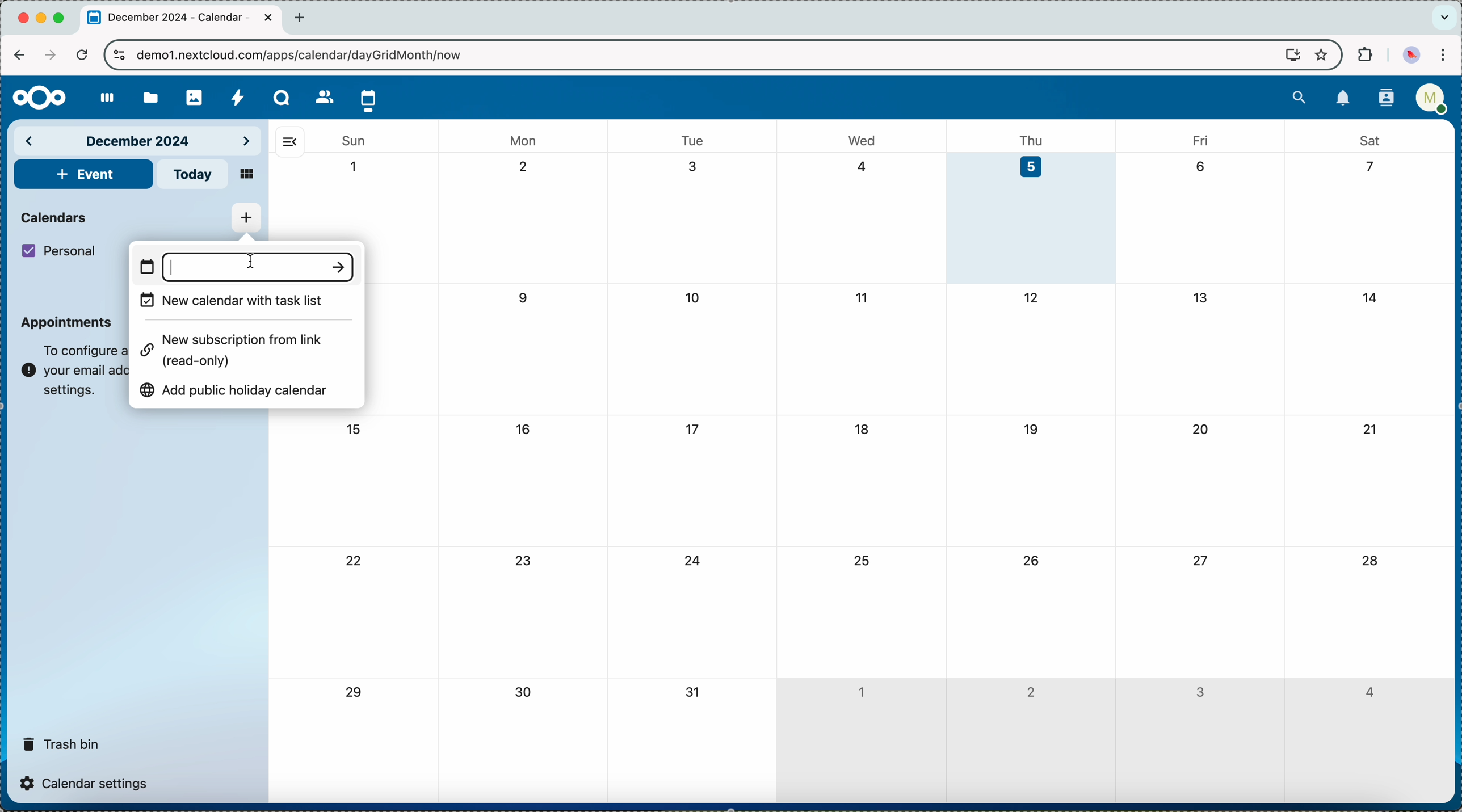  Describe the element at coordinates (1299, 96) in the screenshot. I see `search` at that location.